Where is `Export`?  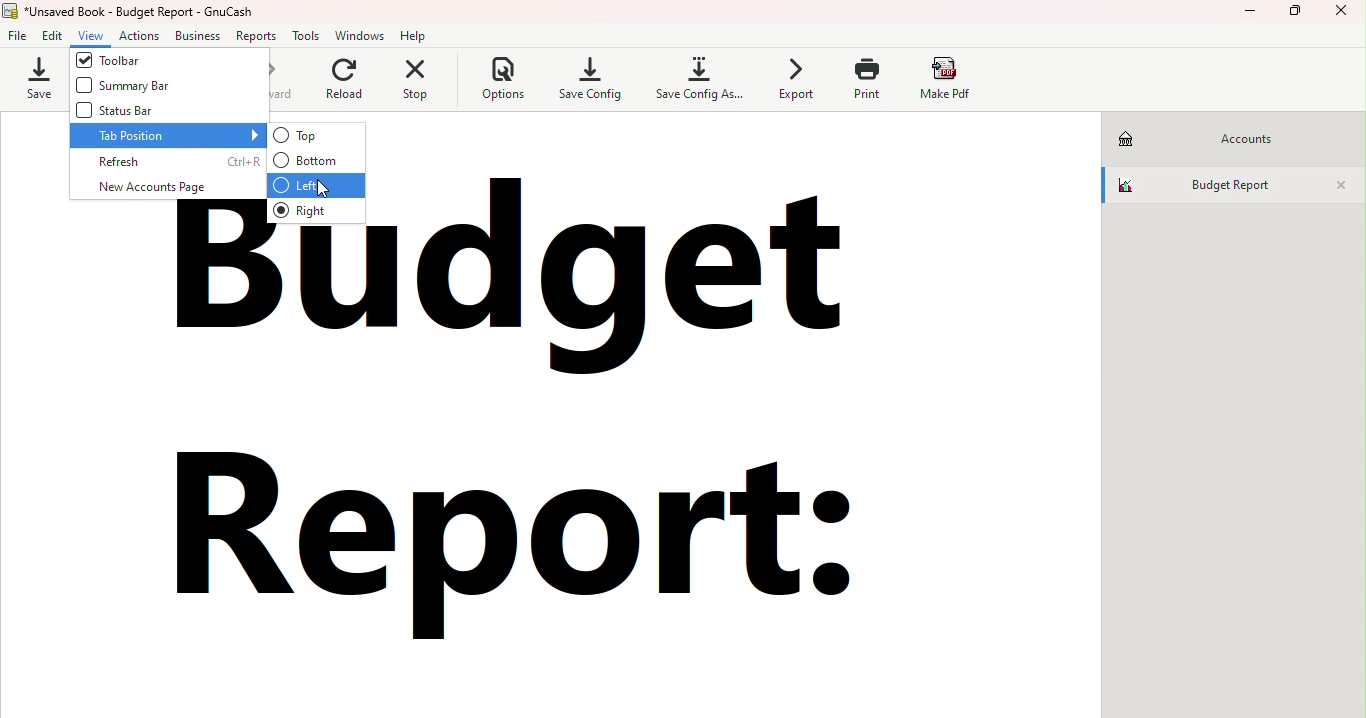 Export is located at coordinates (790, 78).